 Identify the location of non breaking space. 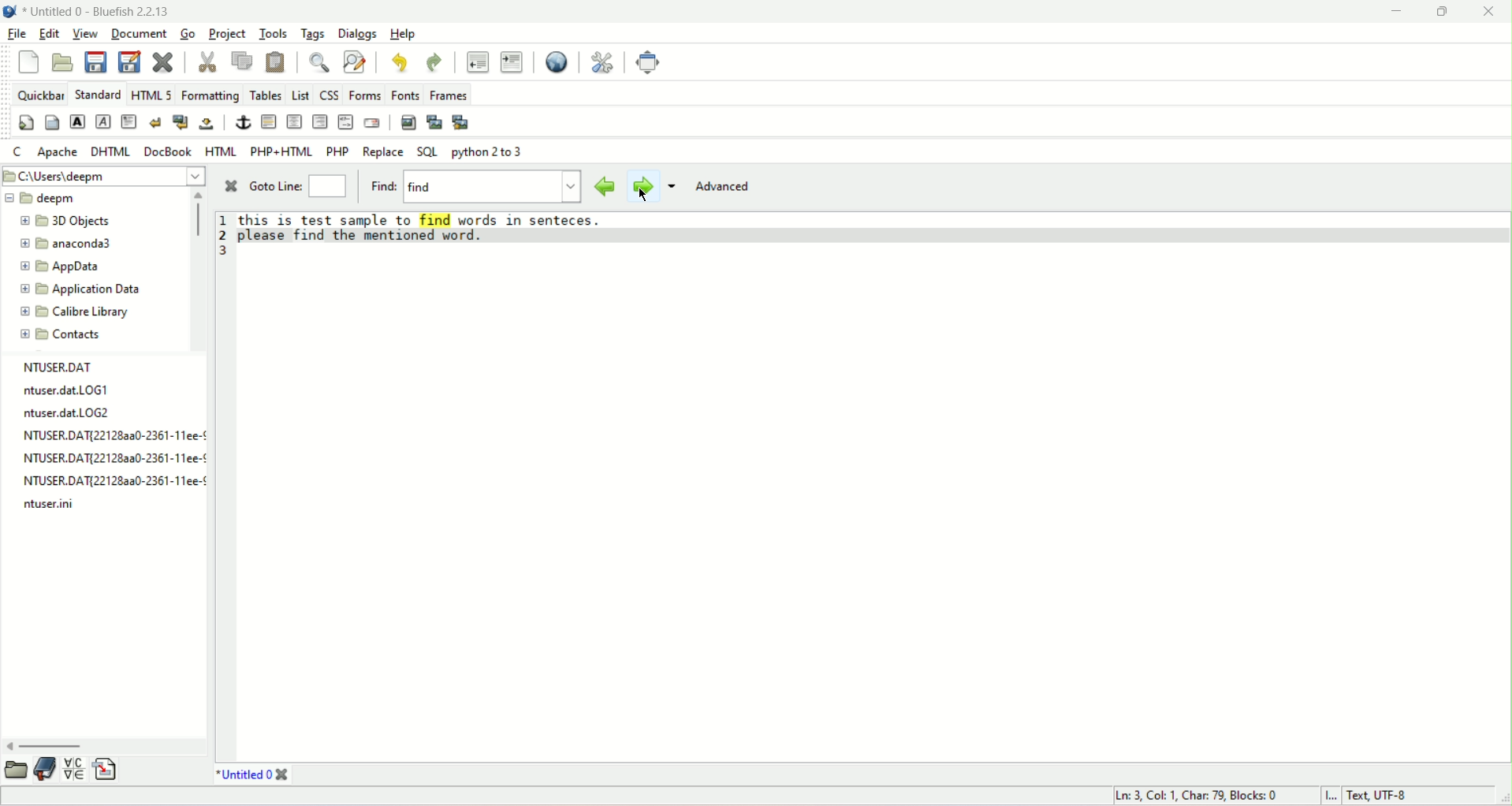
(207, 125).